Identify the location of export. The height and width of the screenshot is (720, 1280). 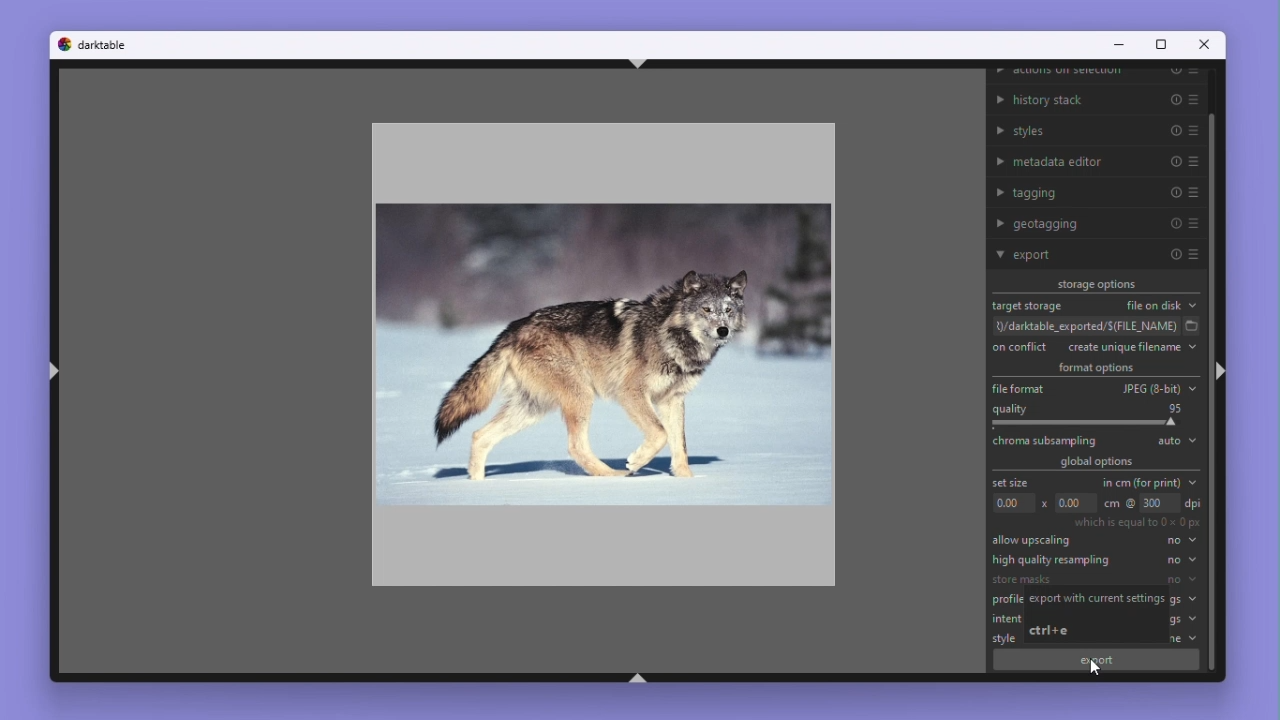
(1098, 660).